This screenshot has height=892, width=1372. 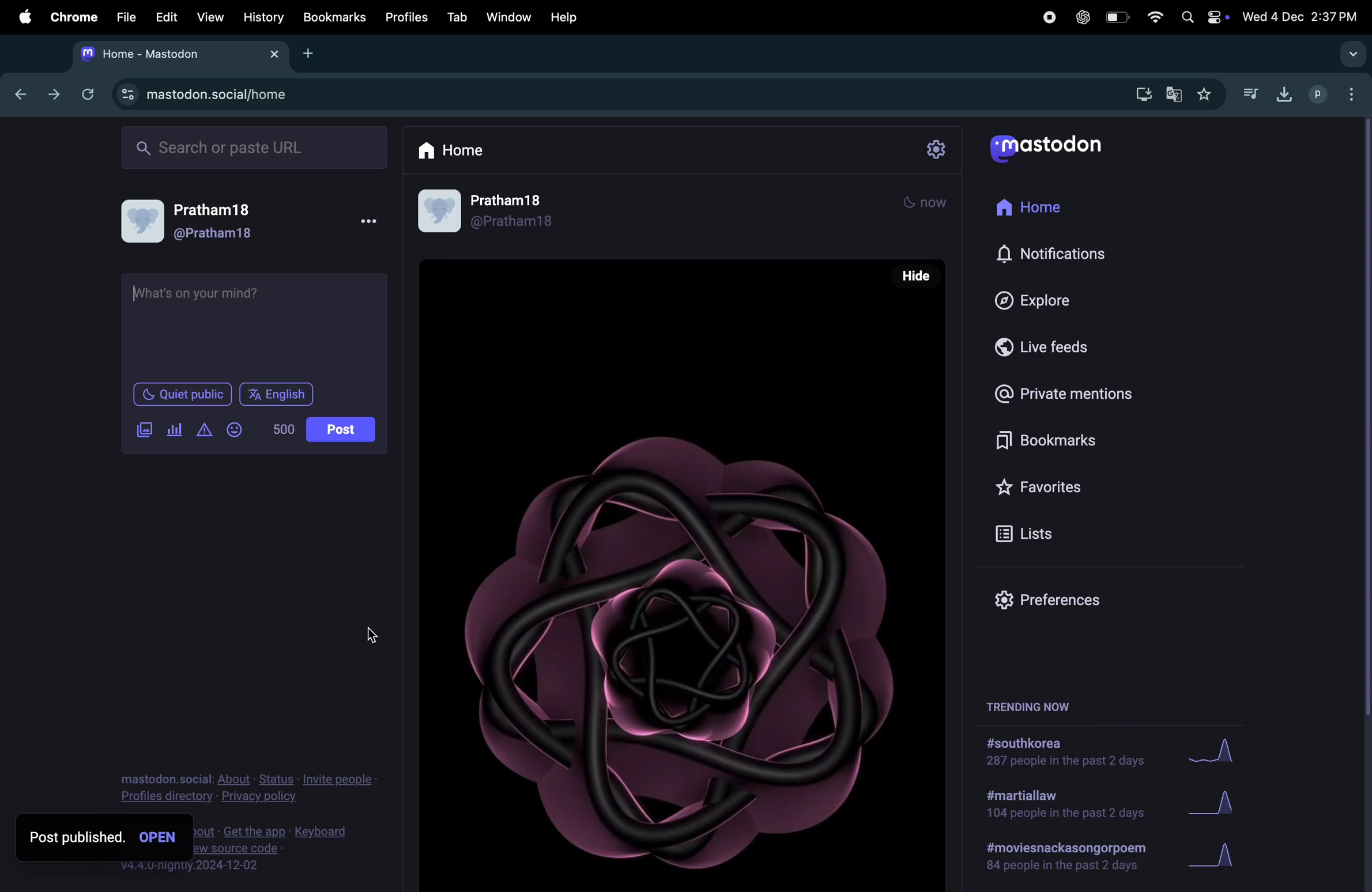 I want to click on Profiles, so click(x=408, y=14).